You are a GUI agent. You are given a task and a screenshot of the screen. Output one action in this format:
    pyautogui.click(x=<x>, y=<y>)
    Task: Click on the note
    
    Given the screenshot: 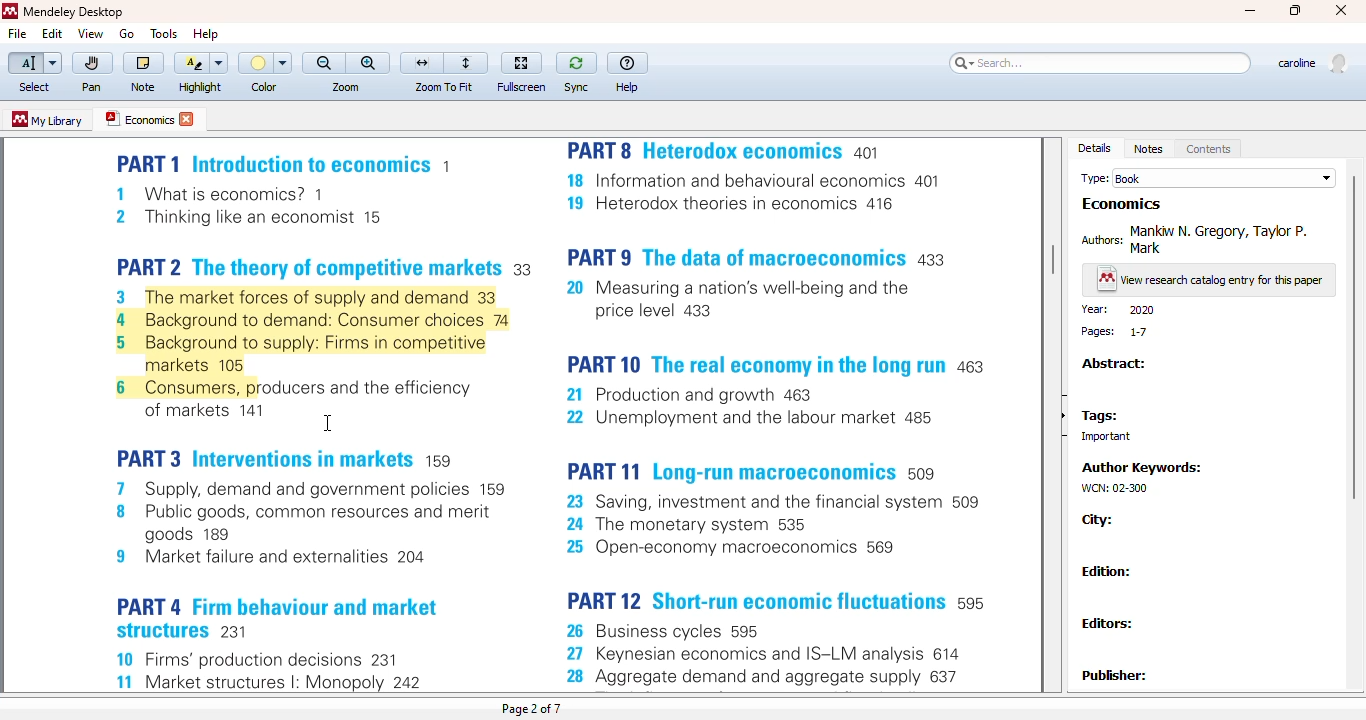 What is the action you would take?
    pyautogui.click(x=143, y=64)
    